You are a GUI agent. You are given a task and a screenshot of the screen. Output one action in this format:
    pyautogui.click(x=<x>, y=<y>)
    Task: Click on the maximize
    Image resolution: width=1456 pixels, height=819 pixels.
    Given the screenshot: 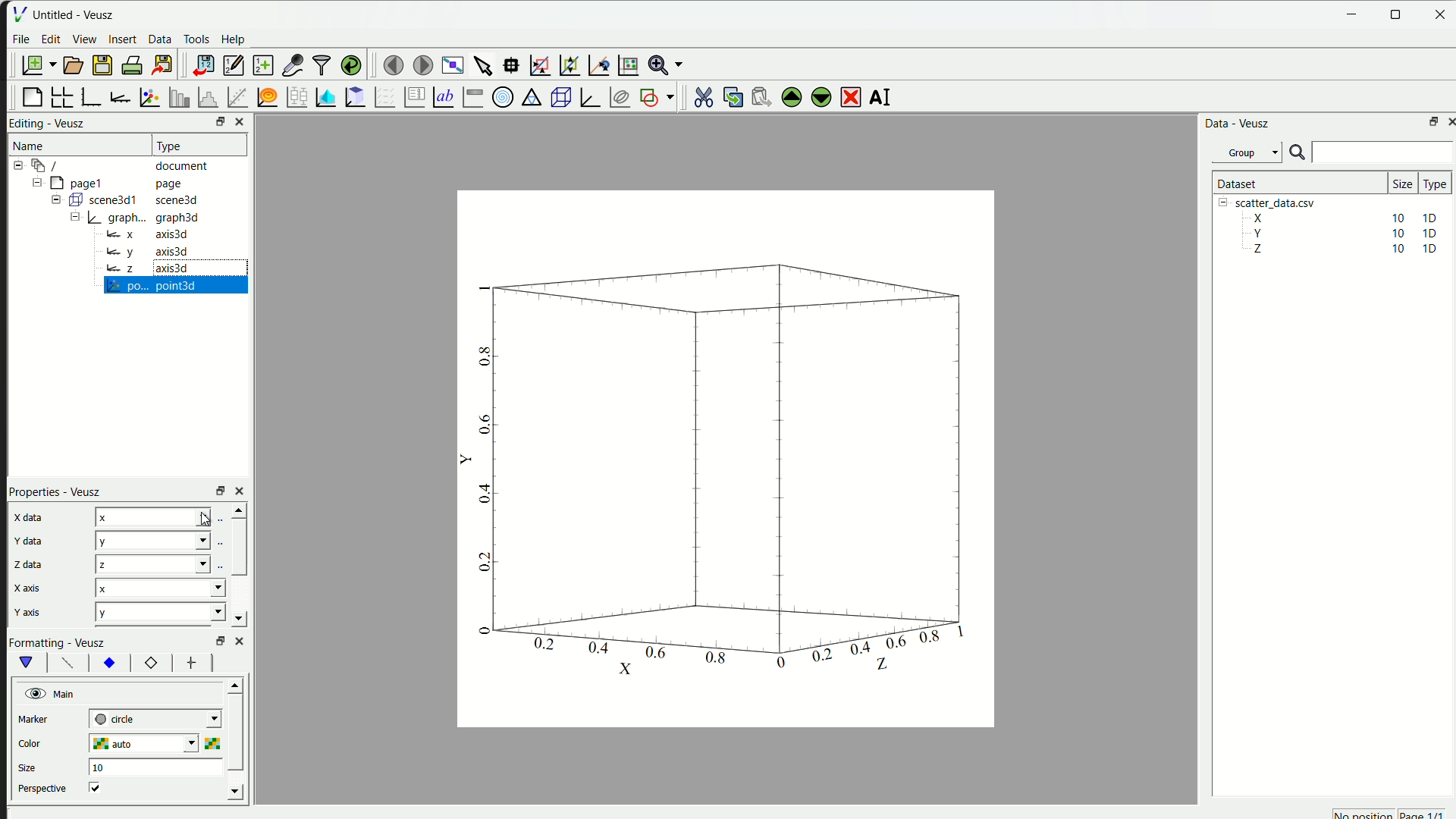 What is the action you would take?
    pyautogui.click(x=1430, y=120)
    